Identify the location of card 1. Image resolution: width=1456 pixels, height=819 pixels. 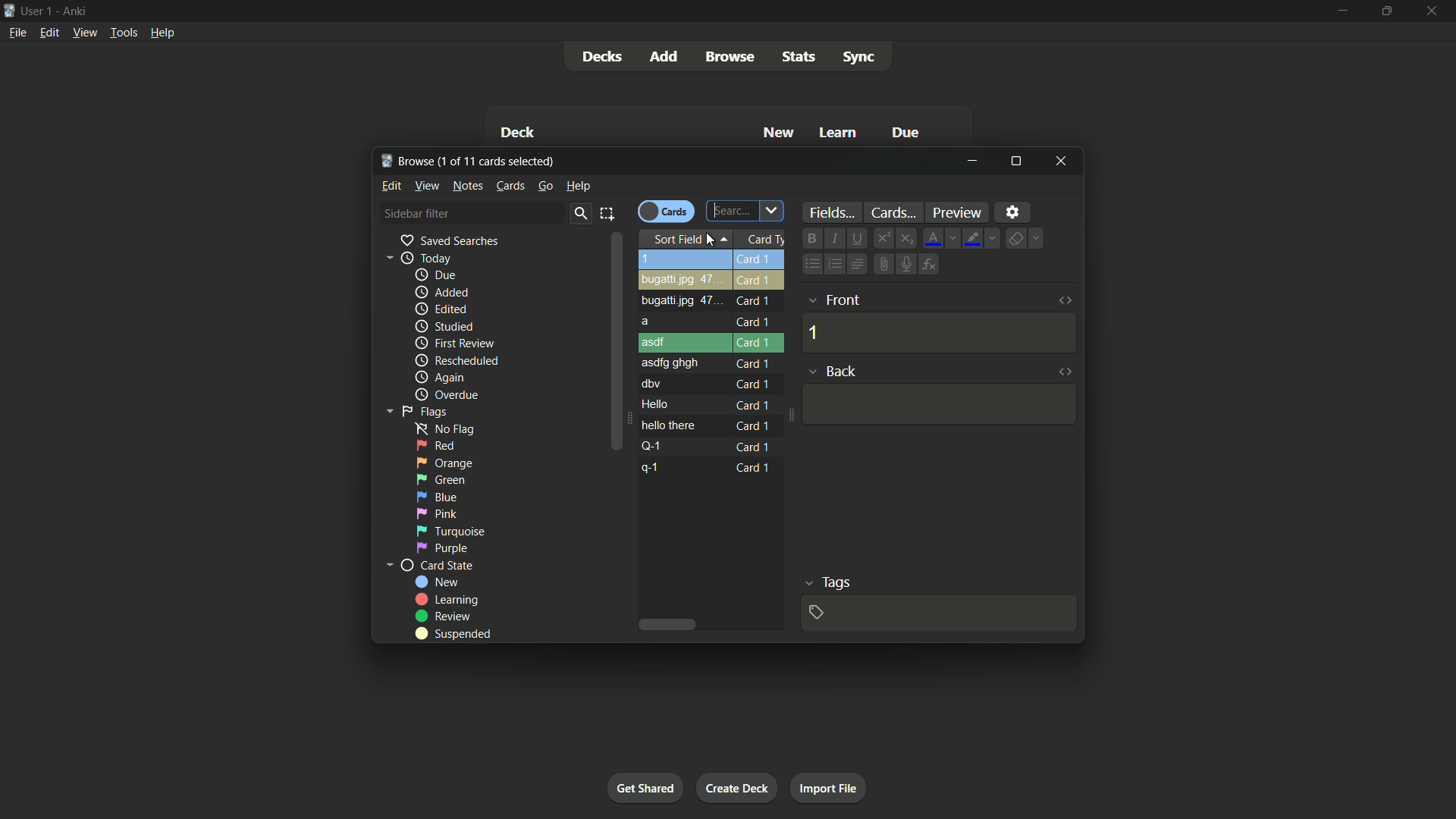
(753, 322).